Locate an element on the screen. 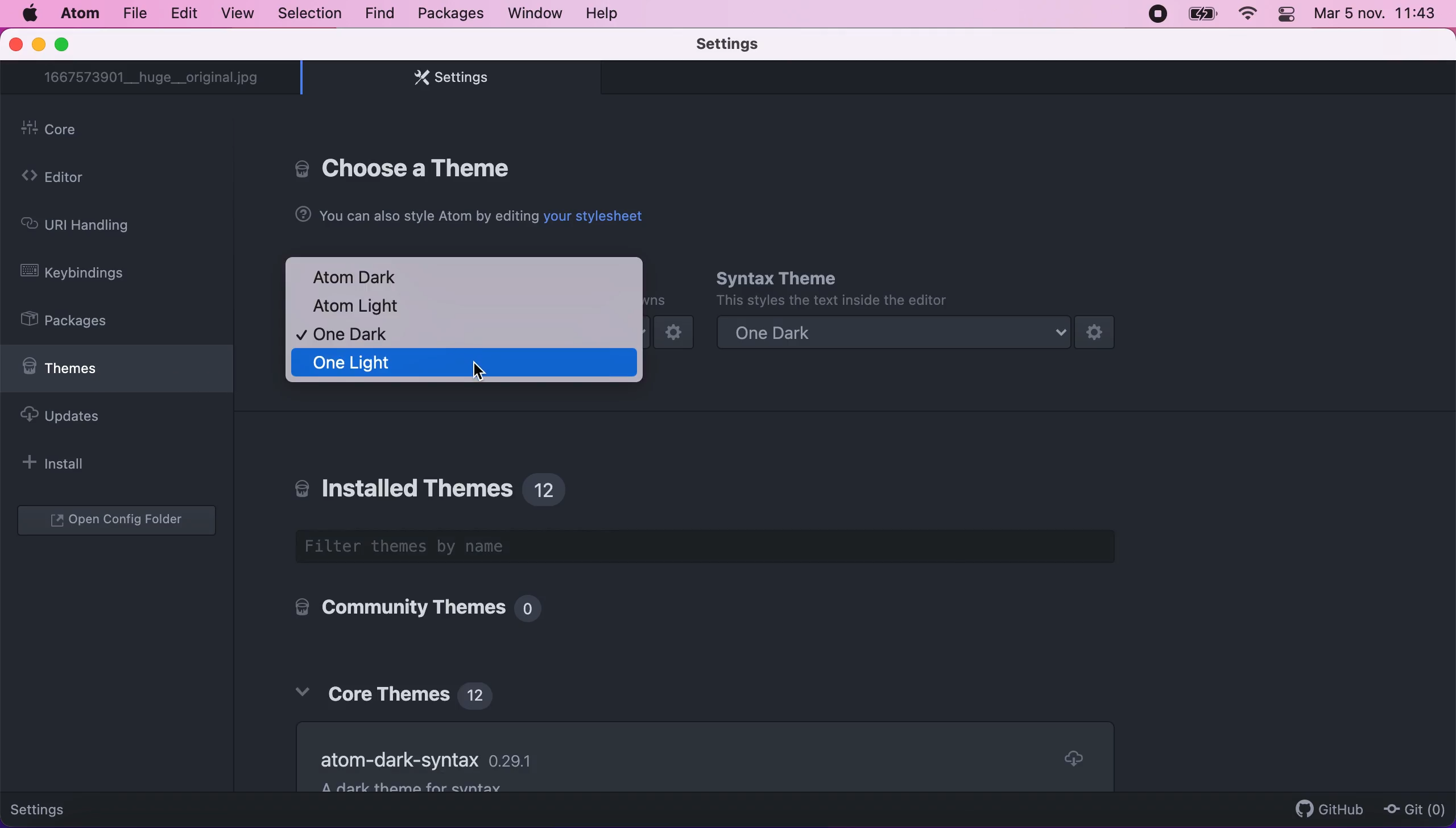 This screenshot has width=1456, height=828. packages is located at coordinates (448, 14).